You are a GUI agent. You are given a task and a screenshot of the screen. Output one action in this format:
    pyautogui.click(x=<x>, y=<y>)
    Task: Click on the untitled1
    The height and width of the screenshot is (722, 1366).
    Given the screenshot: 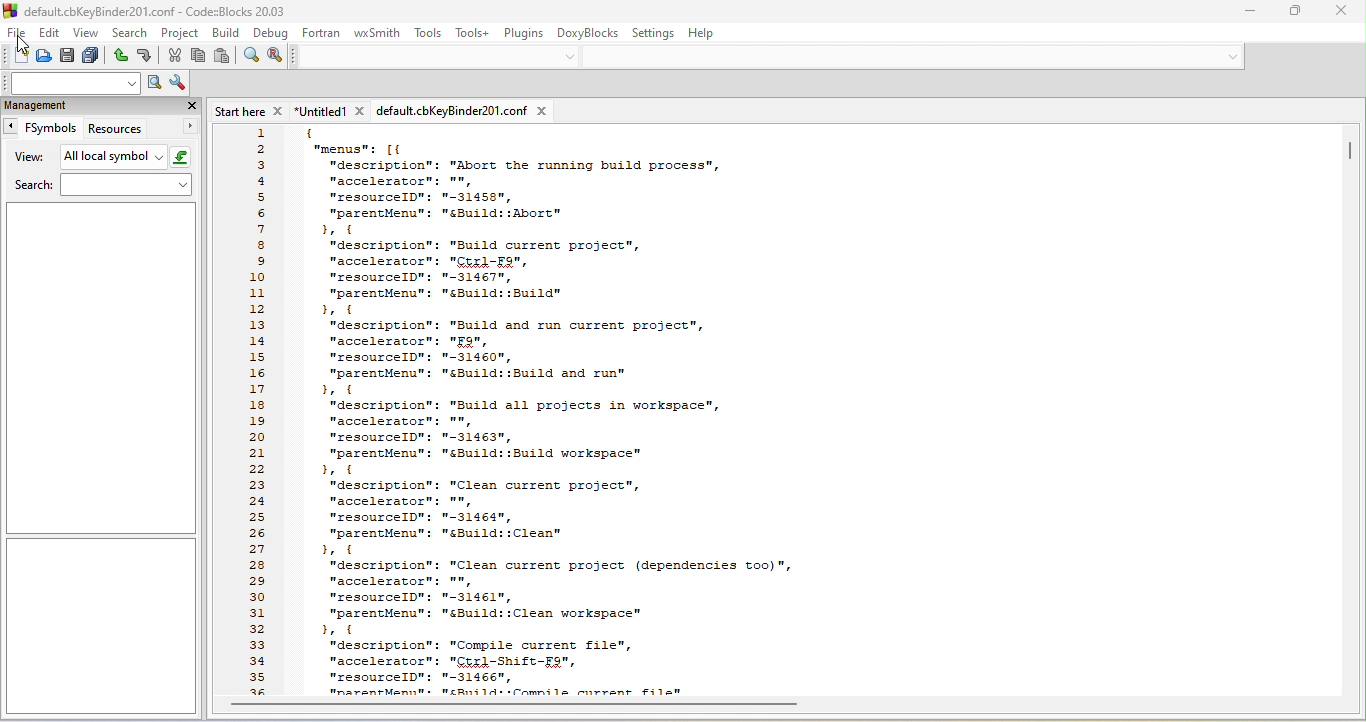 What is the action you would take?
    pyautogui.click(x=331, y=111)
    